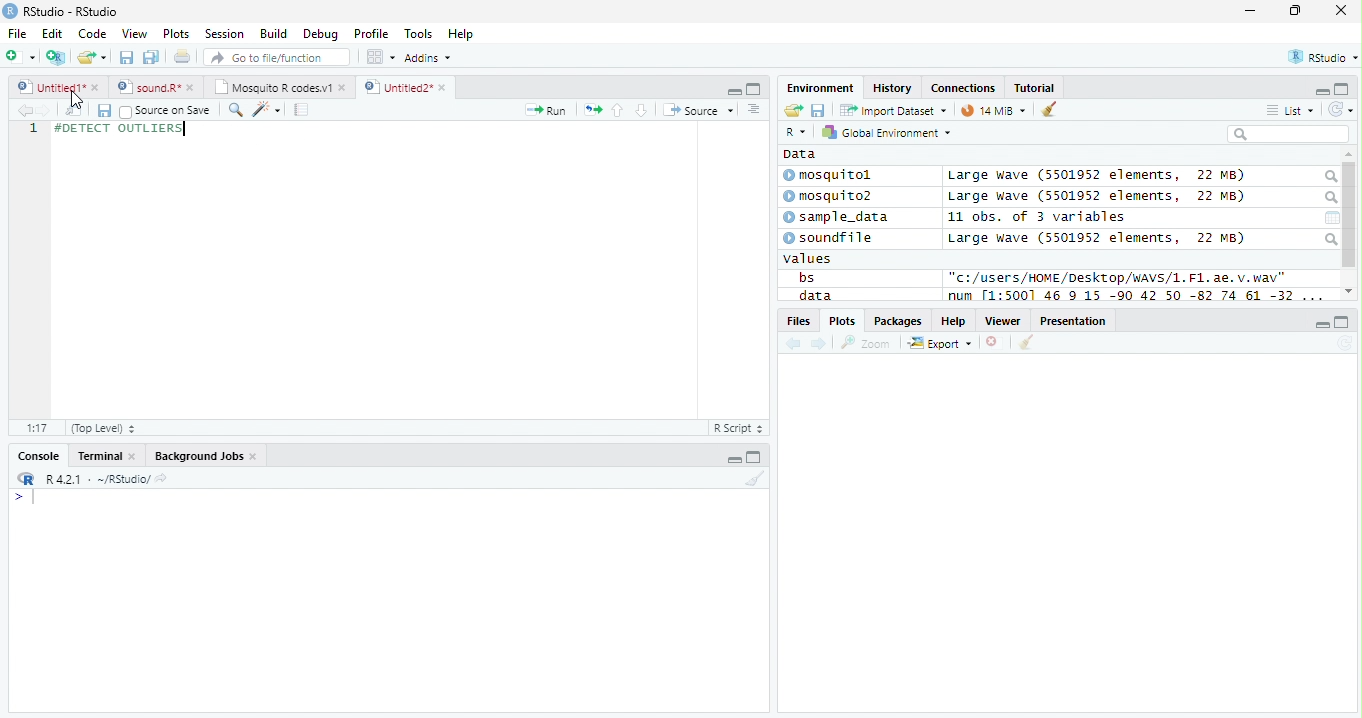 The height and width of the screenshot is (718, 1362). Describe the element at coordinates (800, 154) in the screenshot. I see `Data` at that location.